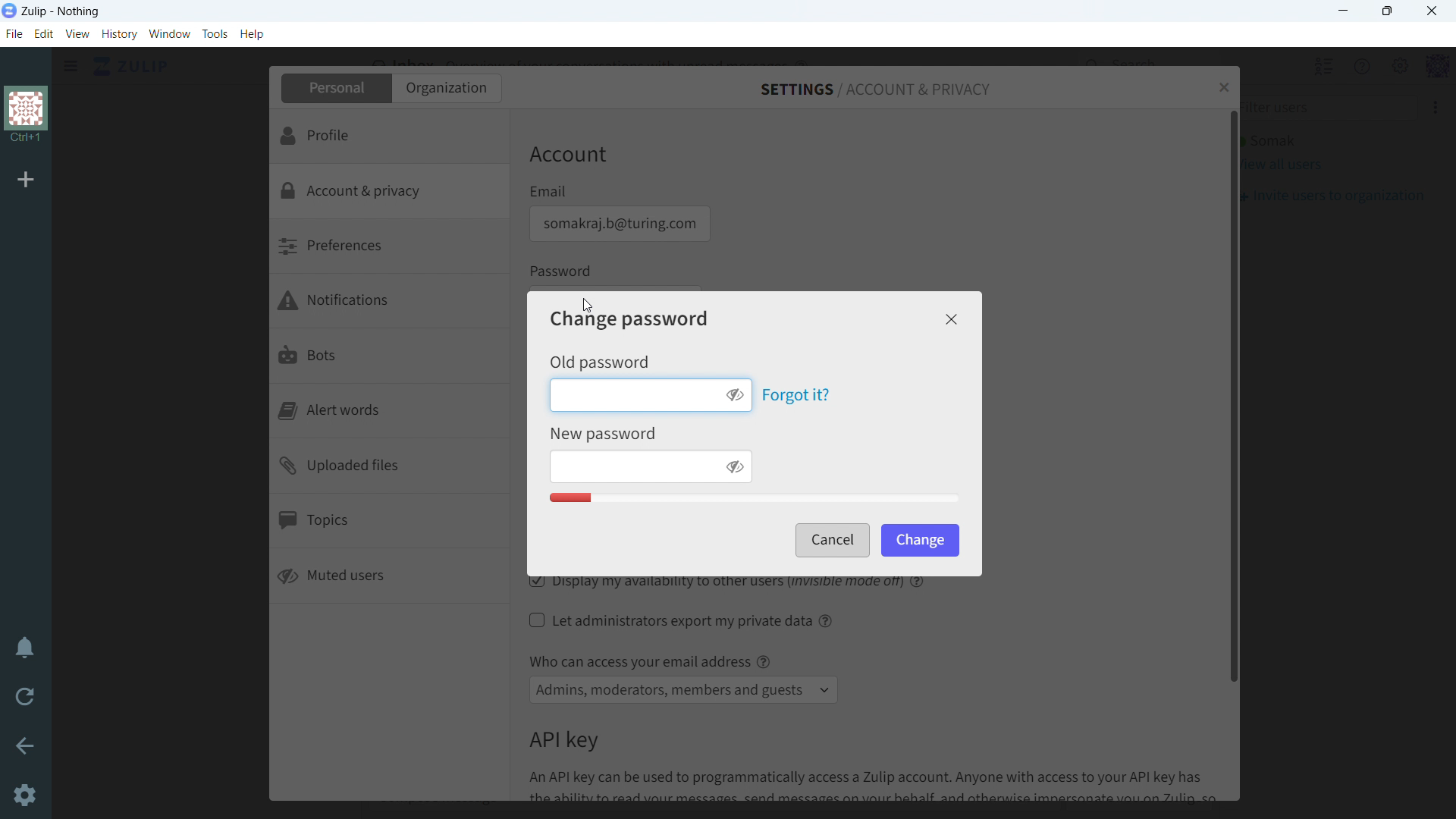 This screenshot has width=1456, height=819. I want to click on profile menu, so click(1438, 67).